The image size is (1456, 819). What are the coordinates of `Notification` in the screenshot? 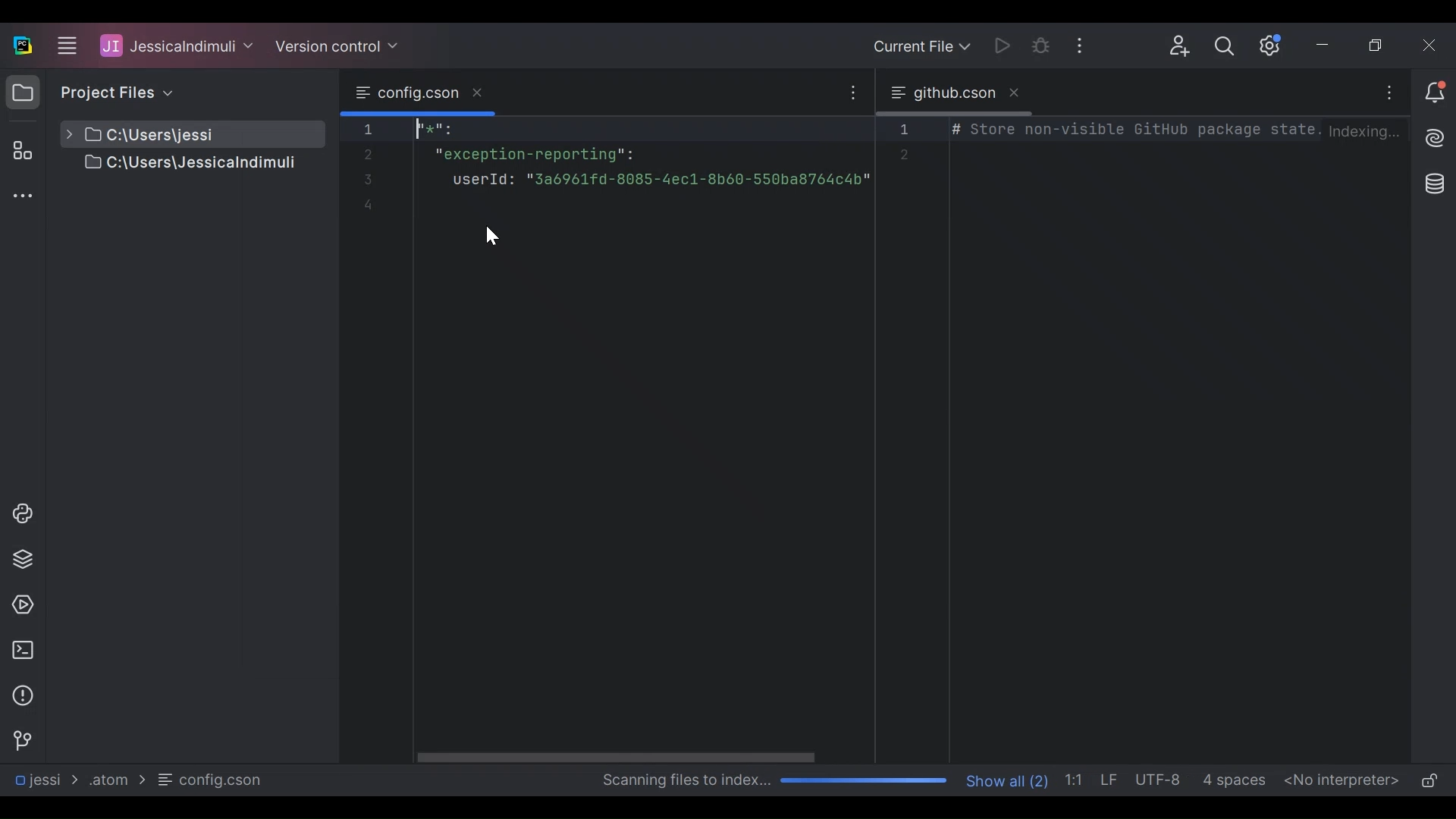 It's located at (1433, 91).